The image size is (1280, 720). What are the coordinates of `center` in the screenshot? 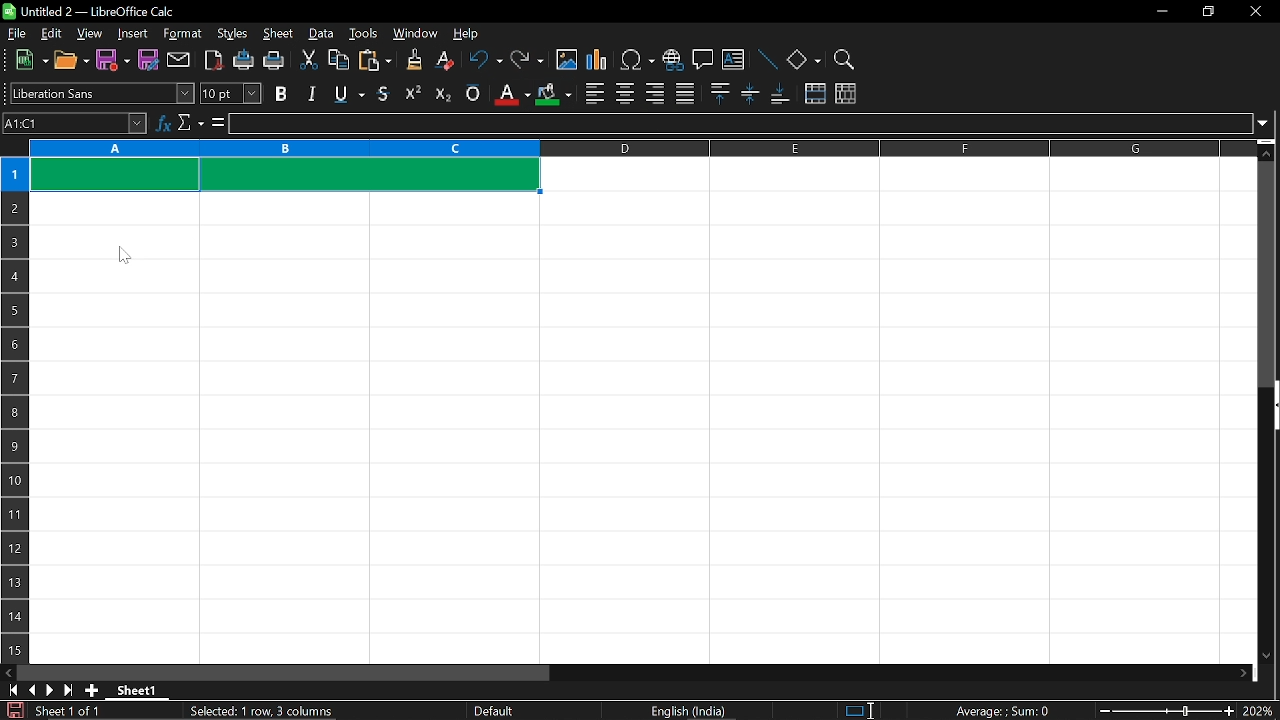 It's located at (625, 93).